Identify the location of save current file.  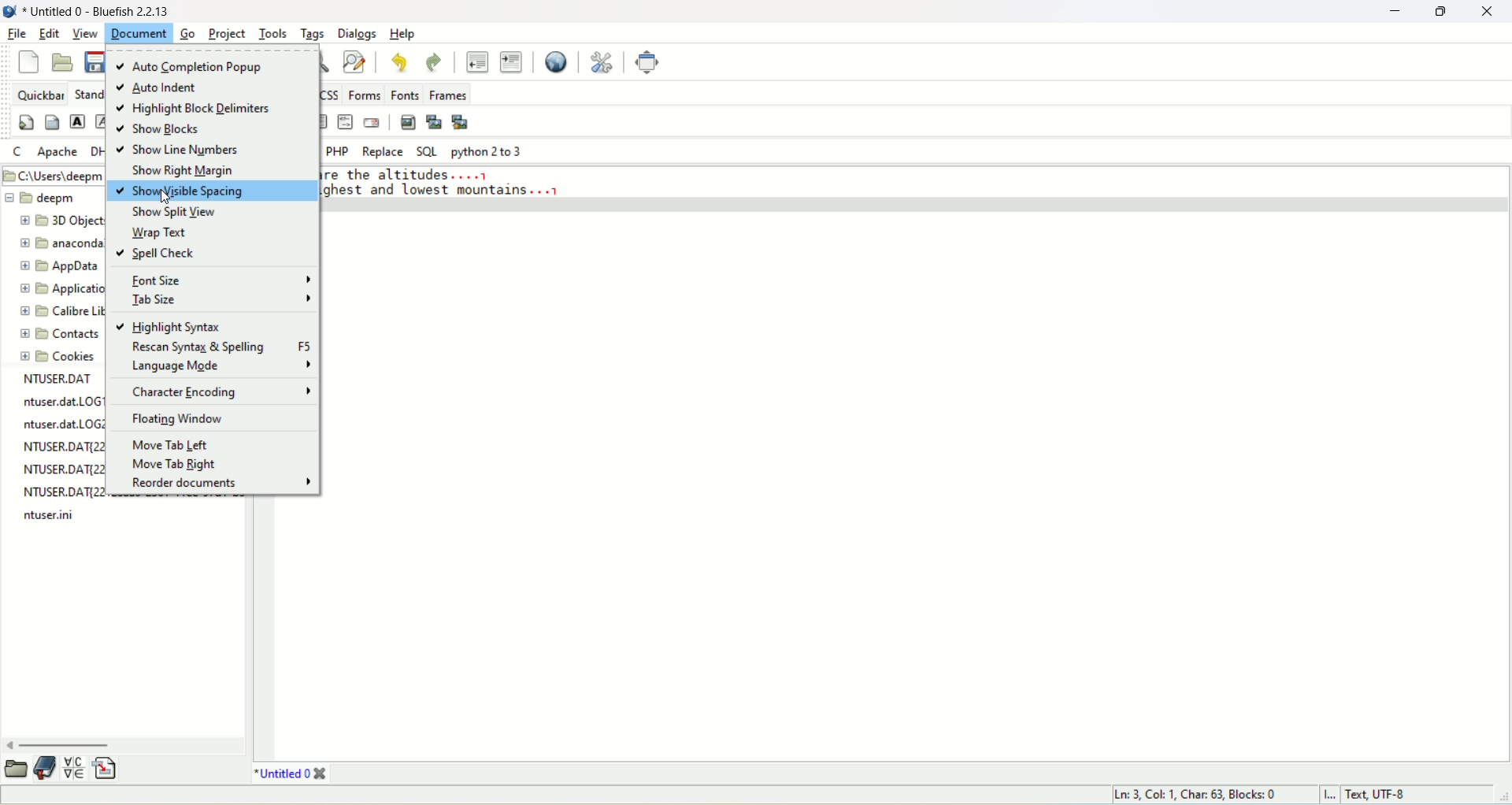
(91, 62).